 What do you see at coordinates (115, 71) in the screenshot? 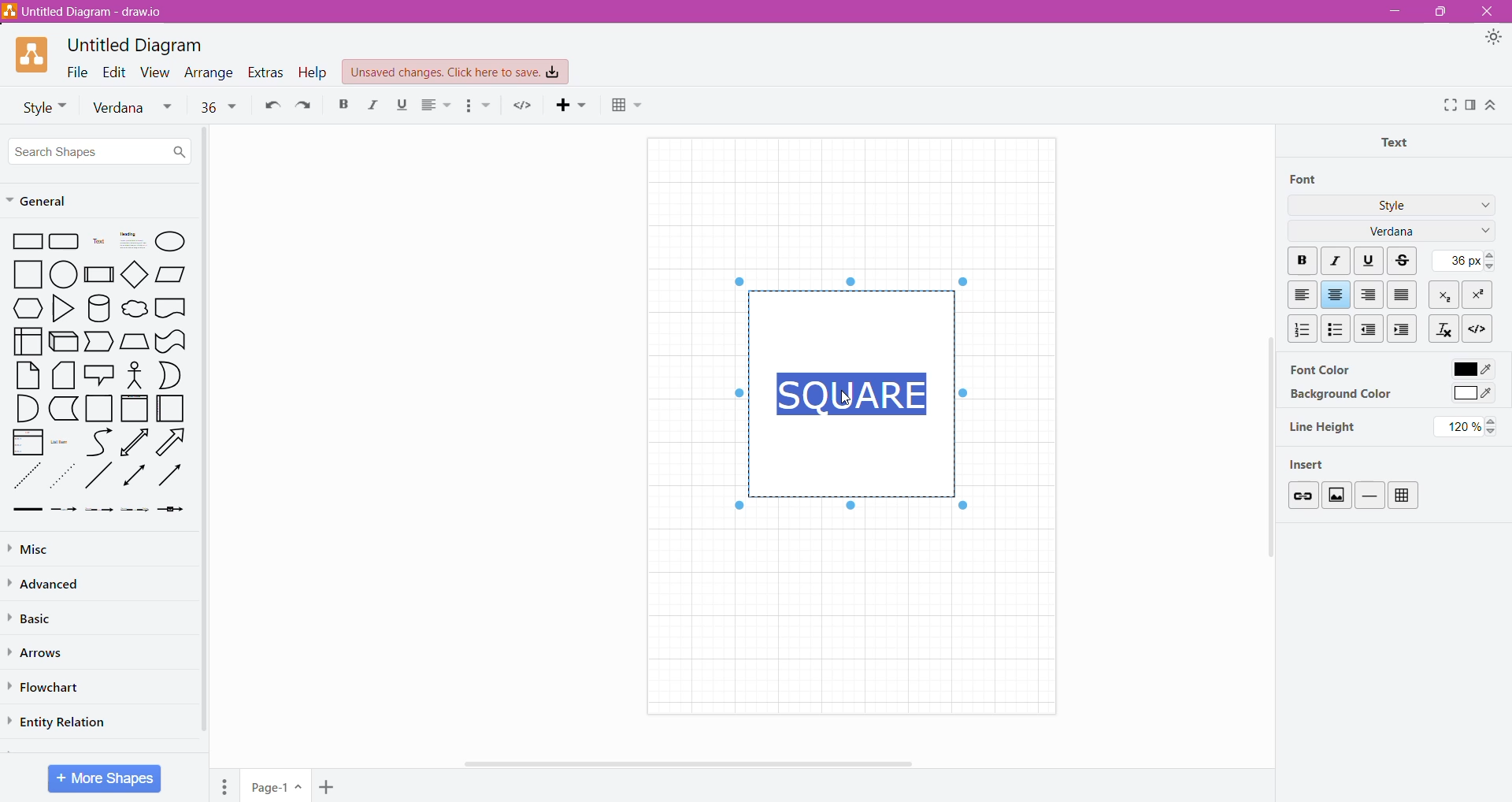
I see `Edit` at bounding box center [115, 71].